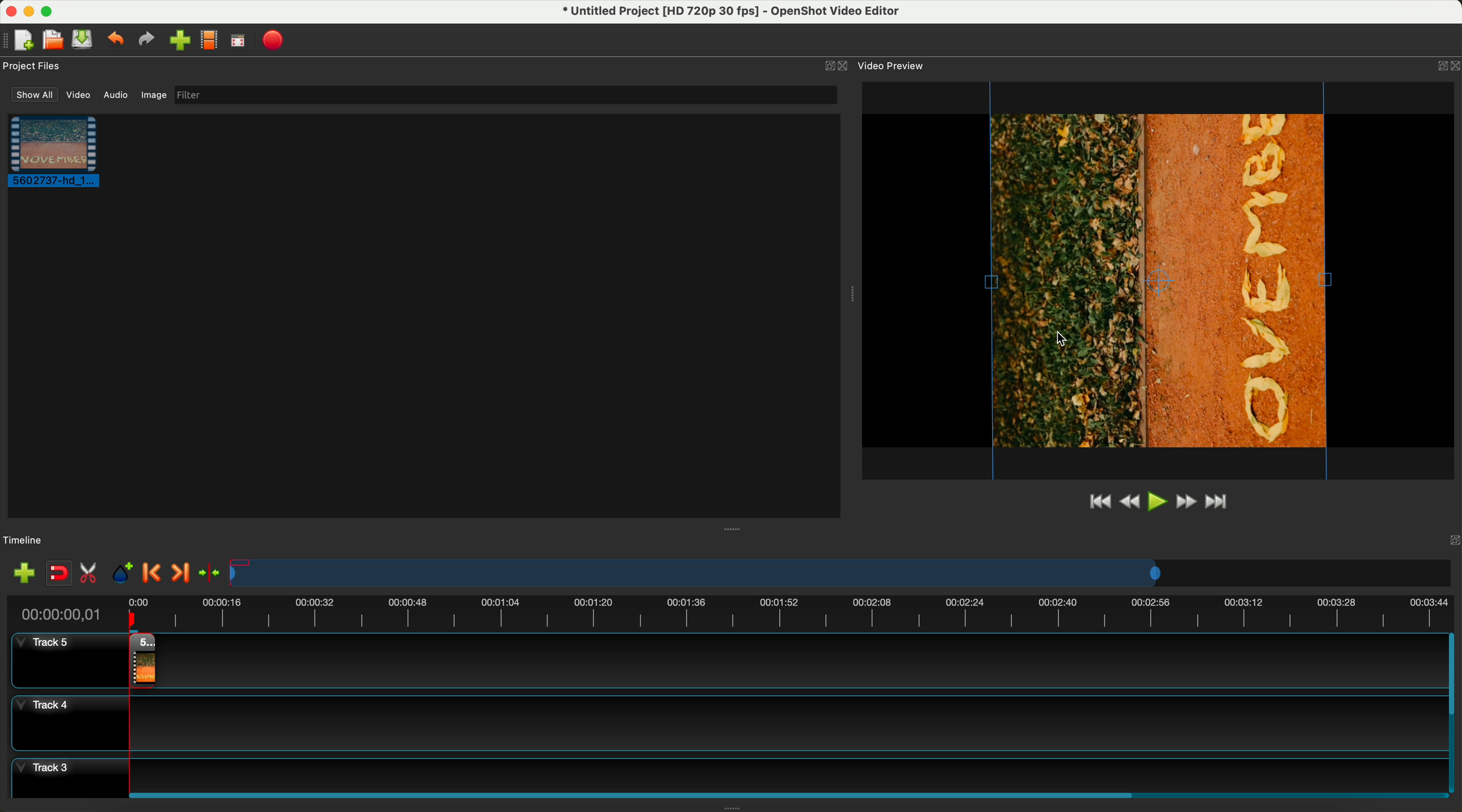 The image size is (1462, 812). What do you see at coordinates (841, 572) in the screenshot?
I see `timeline` at bounding box center [841, 572].